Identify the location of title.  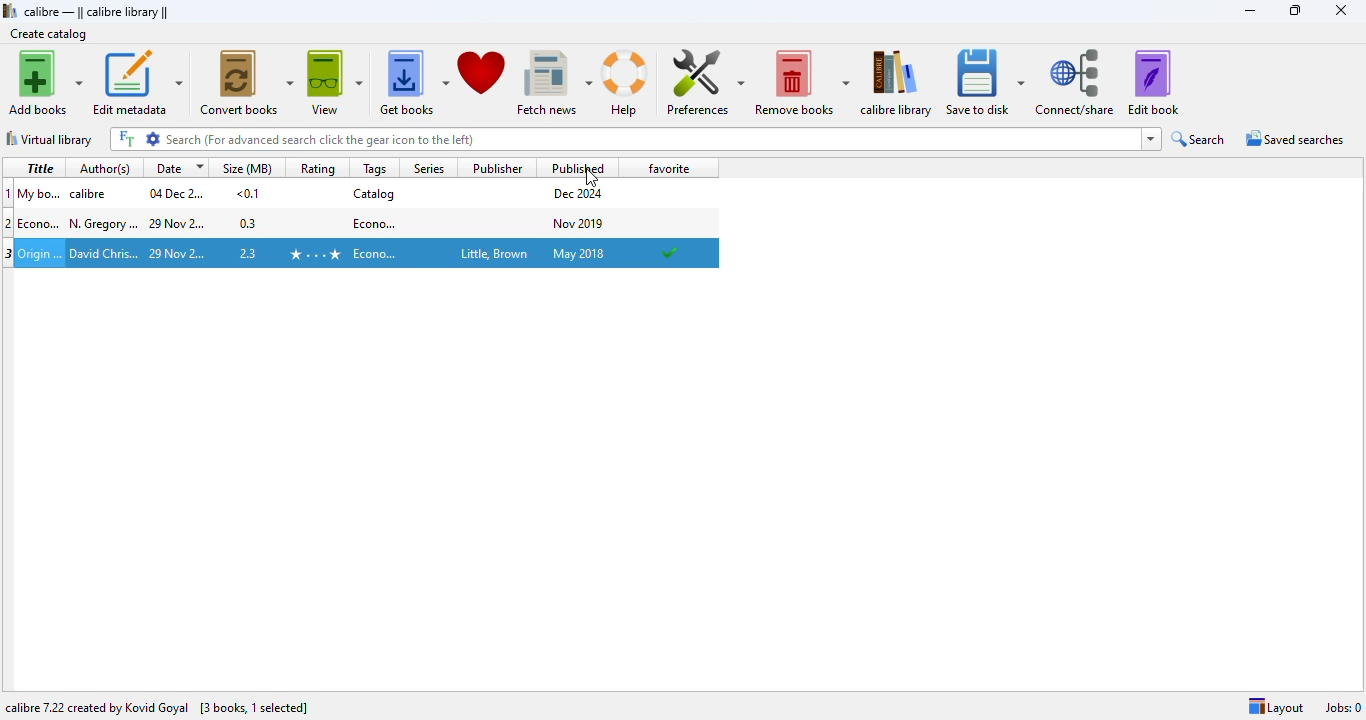
(40, 253).